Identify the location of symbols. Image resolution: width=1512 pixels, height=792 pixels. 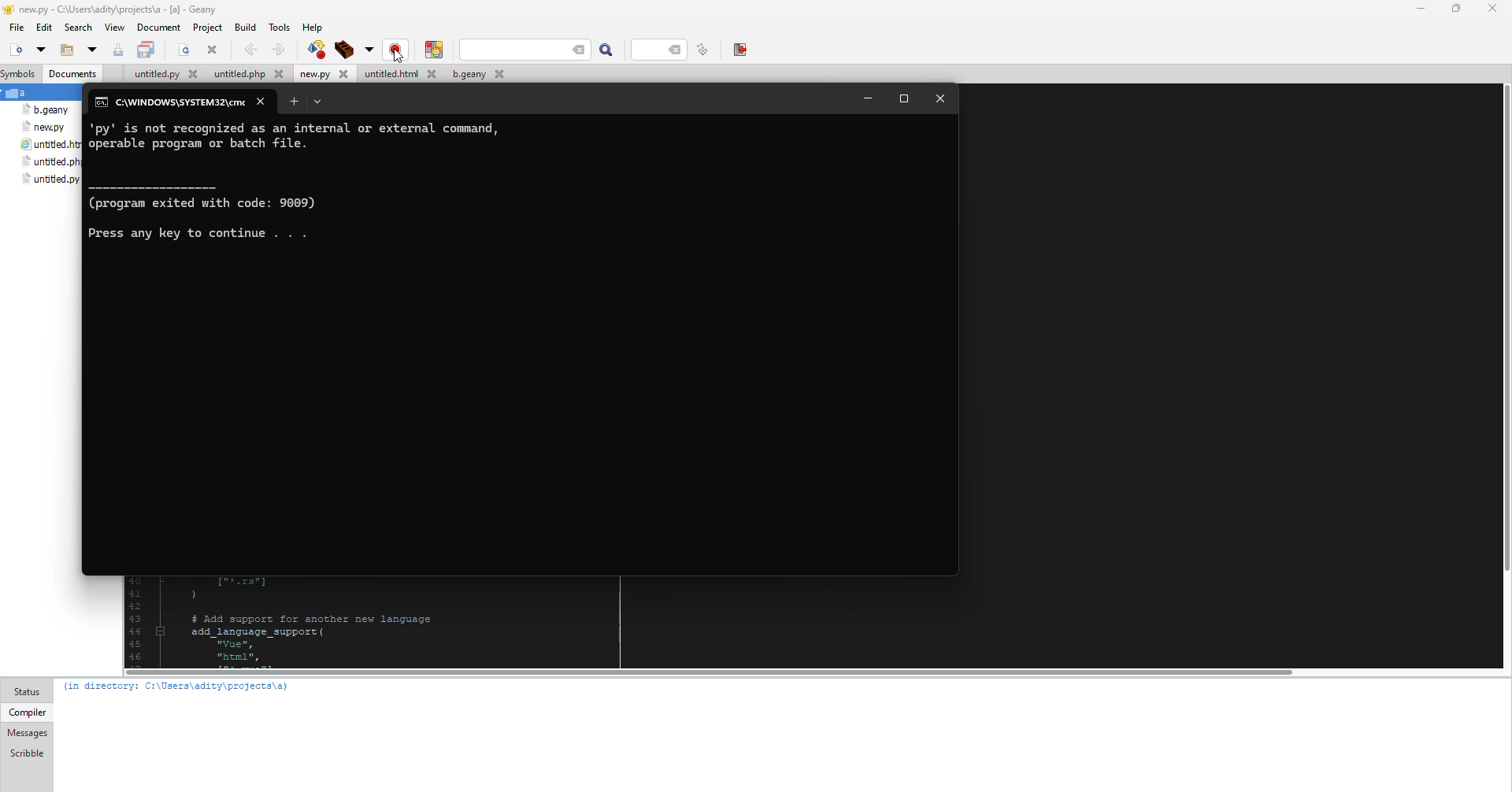
(21, 74).